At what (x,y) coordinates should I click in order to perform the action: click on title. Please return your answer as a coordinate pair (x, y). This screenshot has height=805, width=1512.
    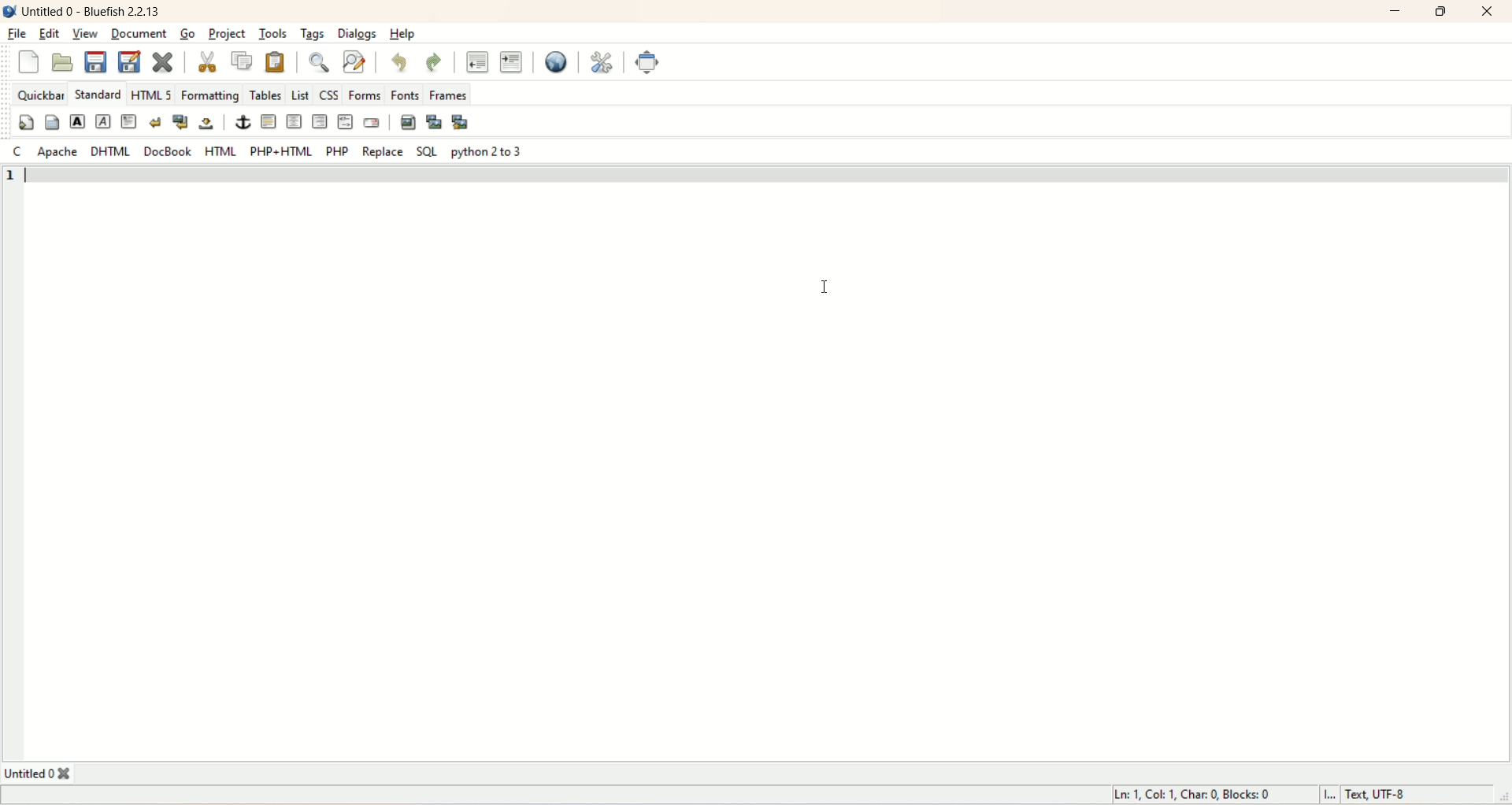
    Looking at the image, I should click on (41, 773).